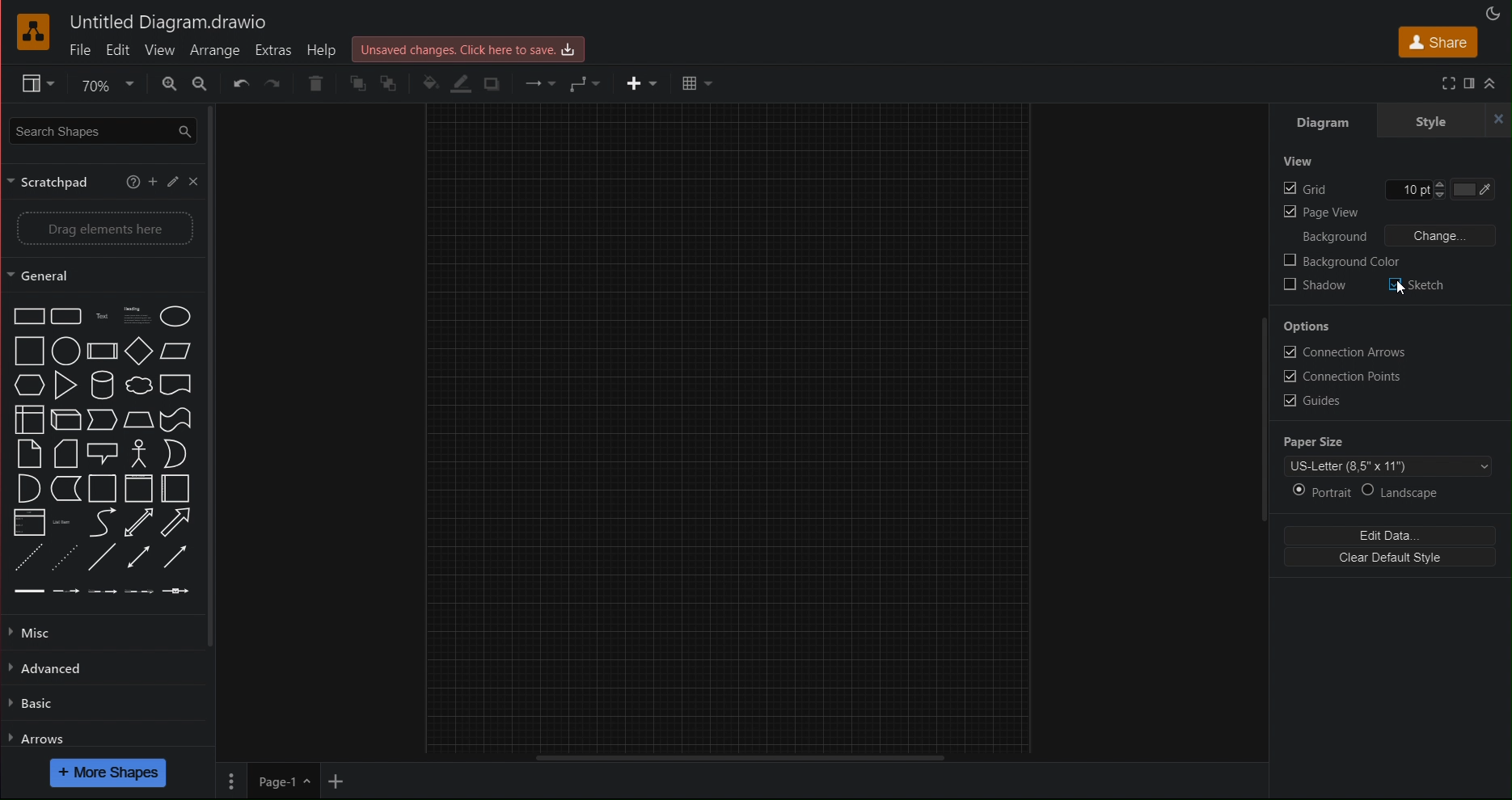 This screenshot has height=800, width=1512. I want to click on cube, so click(66, 420).